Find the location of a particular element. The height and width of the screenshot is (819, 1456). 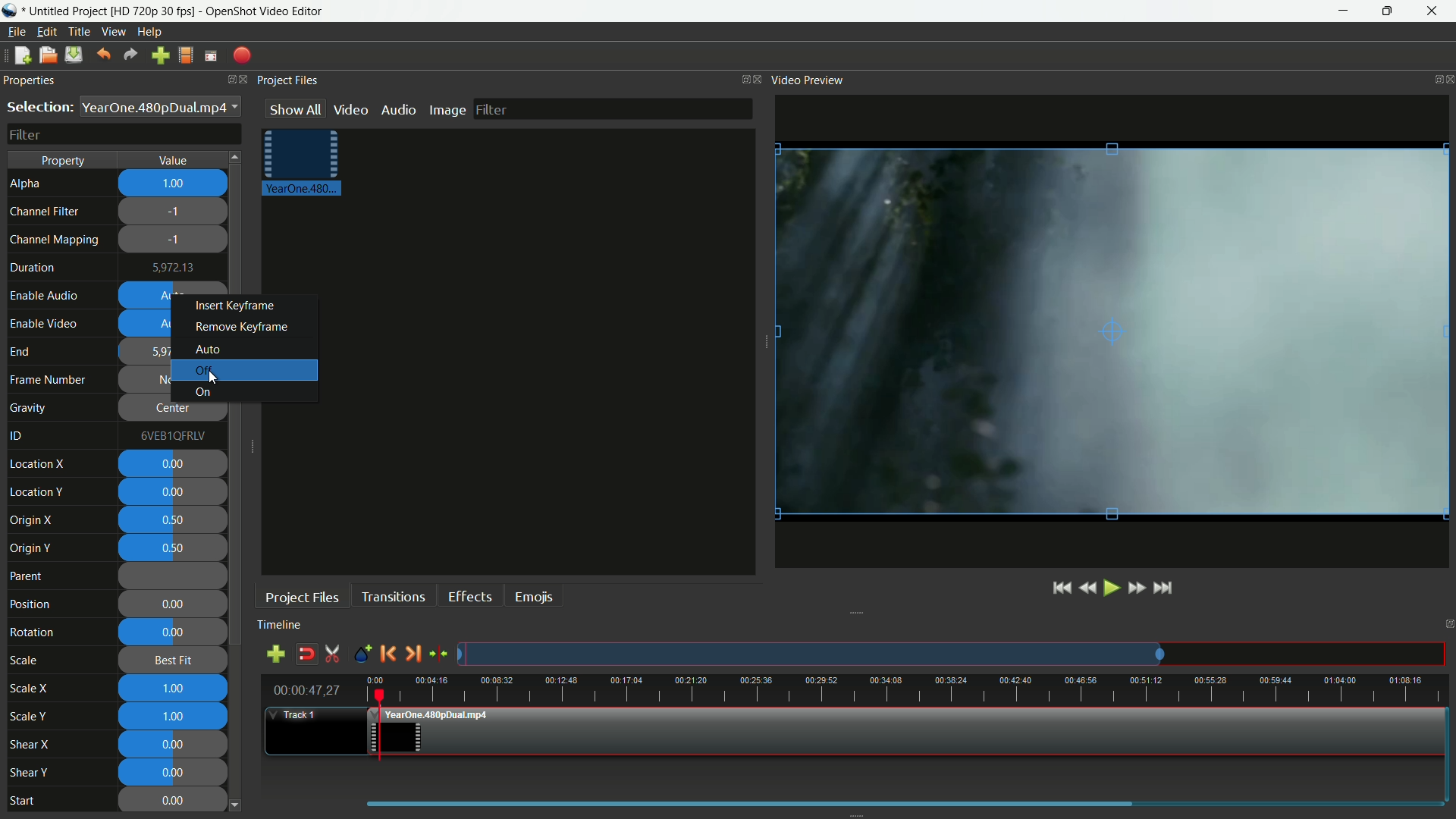

enable video is located at coordinates (44, 324).